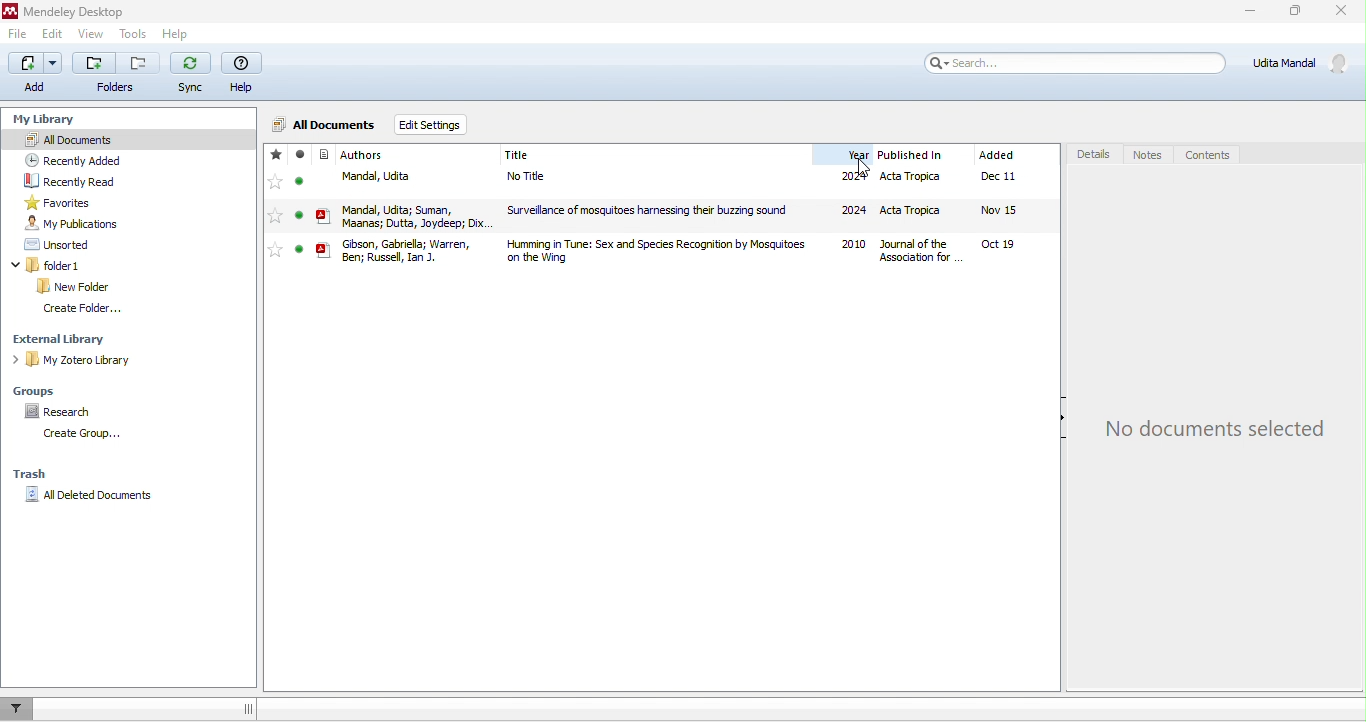  I want to click on Surveillance of mosquitoes harnessing their buzzing sound, so click(644, 211).